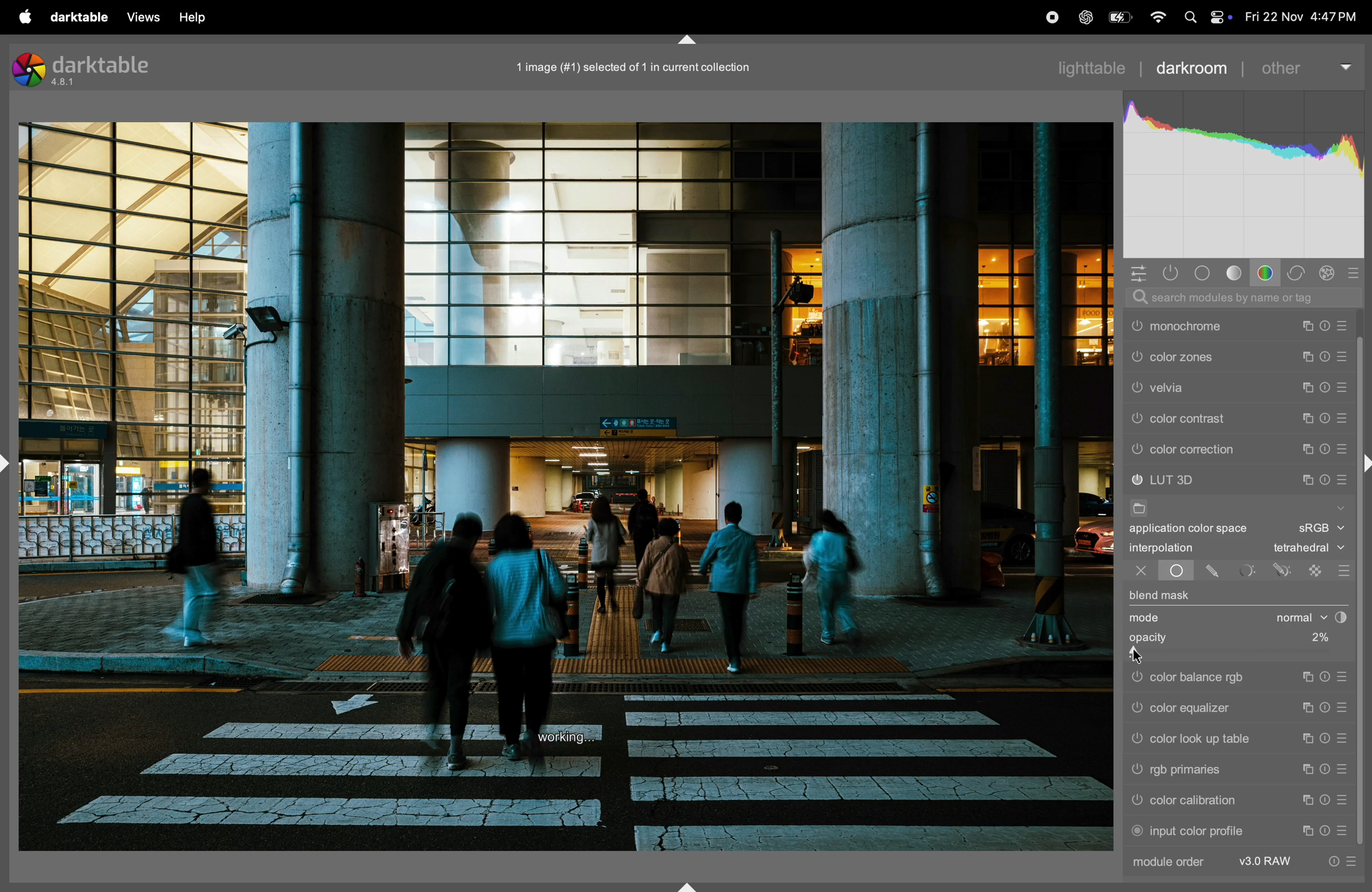 Image resolution: width=1372 pixels, height=892 pixels. Describe the element at coordinates (1341, 770) in the screenshot. I see `presets` at that location.